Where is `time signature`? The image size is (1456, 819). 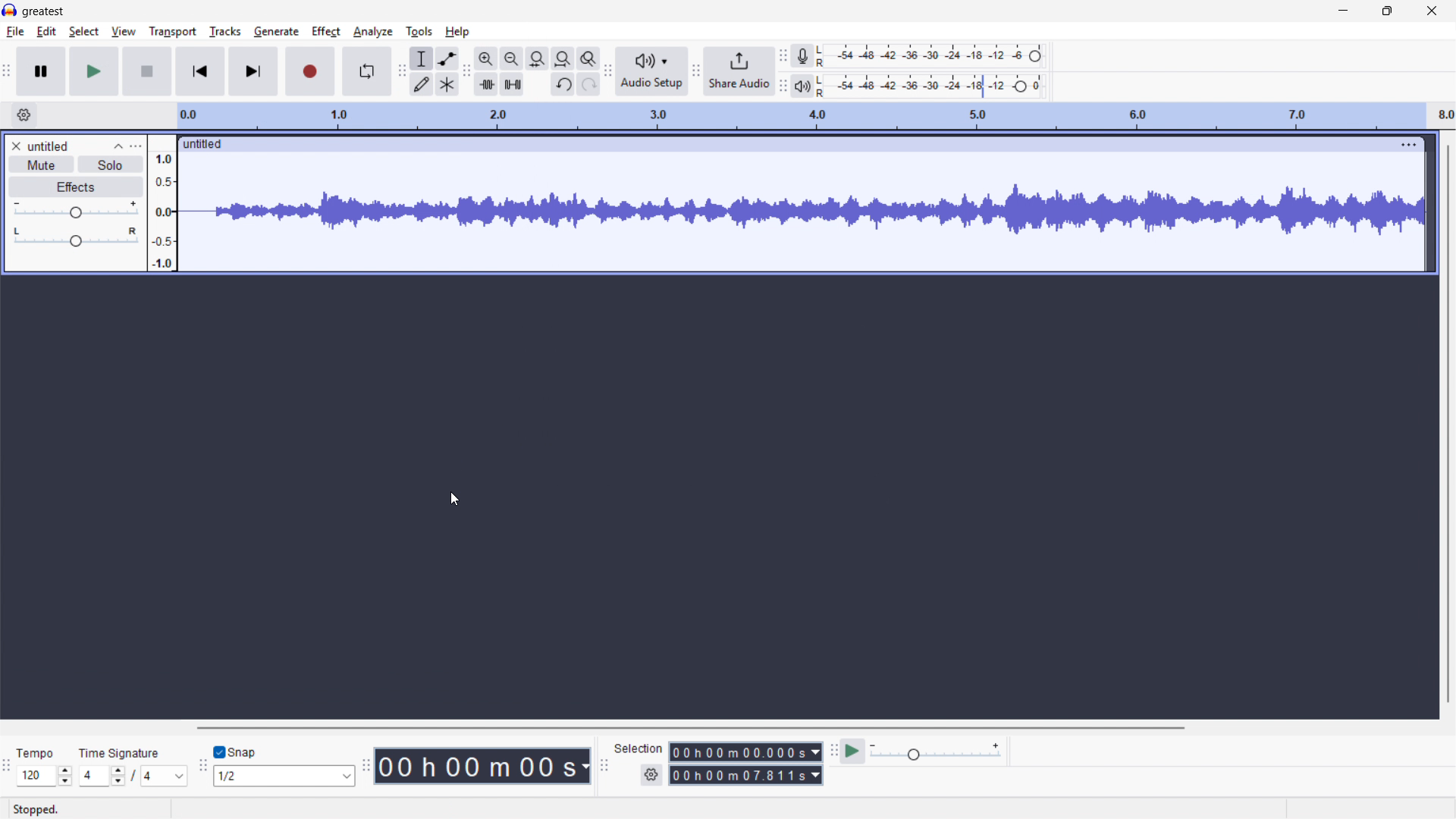
time signature is located at coordinates (120, 752).